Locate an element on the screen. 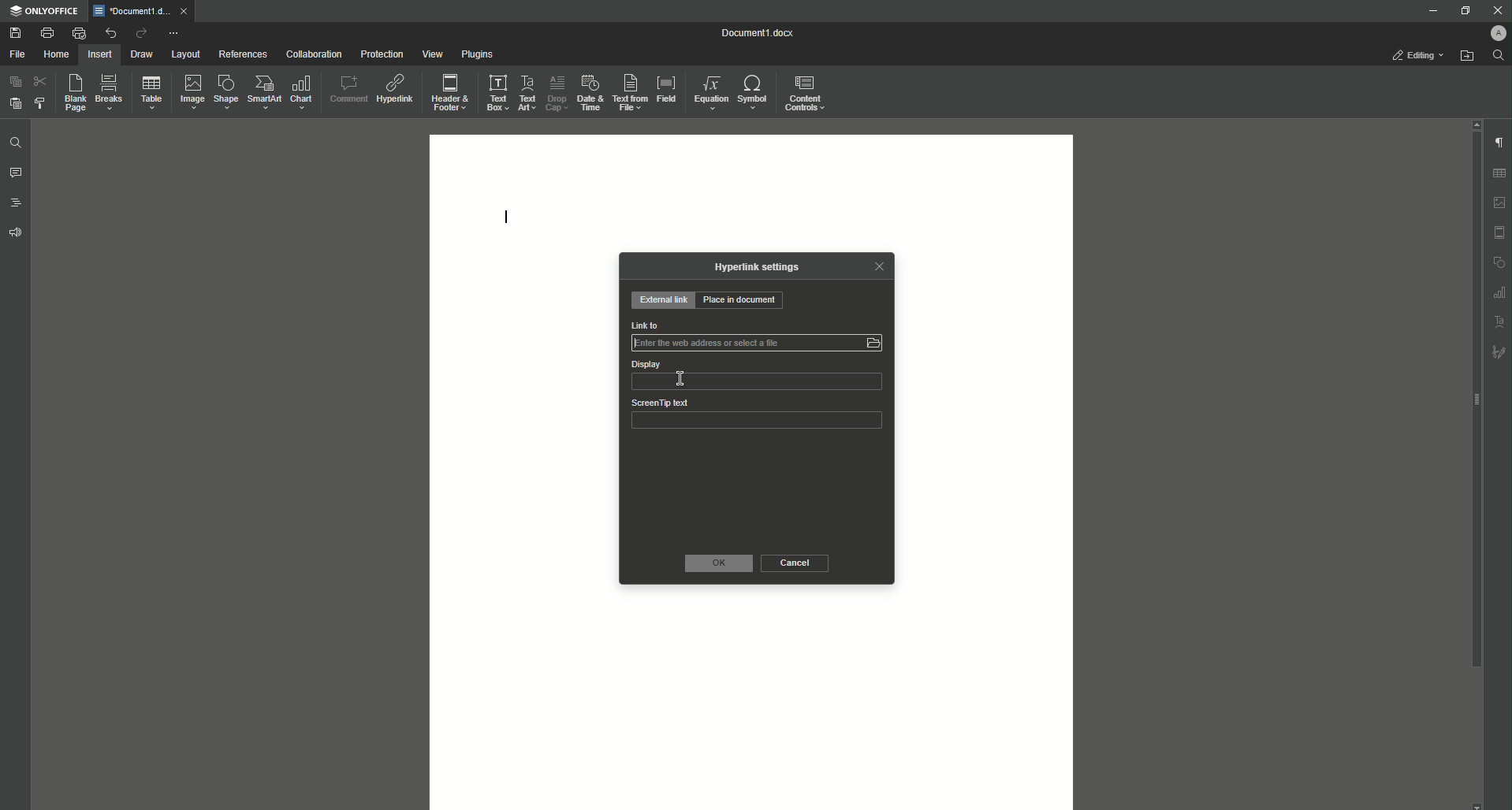 The height and width of the screenshot is (810, 1512). Collaboration is located at coordinates (314, 54).